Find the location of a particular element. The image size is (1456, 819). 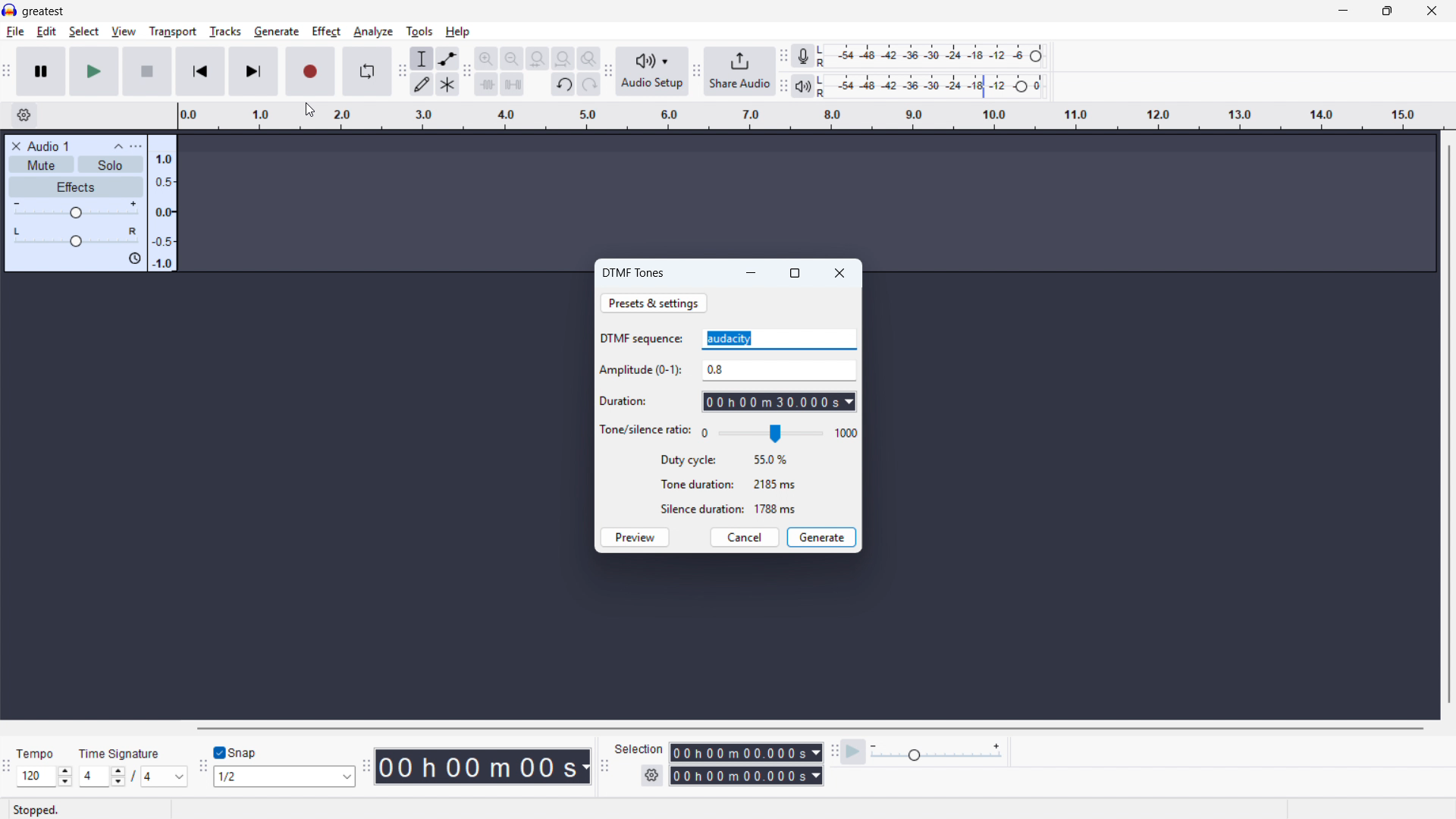

multi-tool is located at coordinates (447, 84).